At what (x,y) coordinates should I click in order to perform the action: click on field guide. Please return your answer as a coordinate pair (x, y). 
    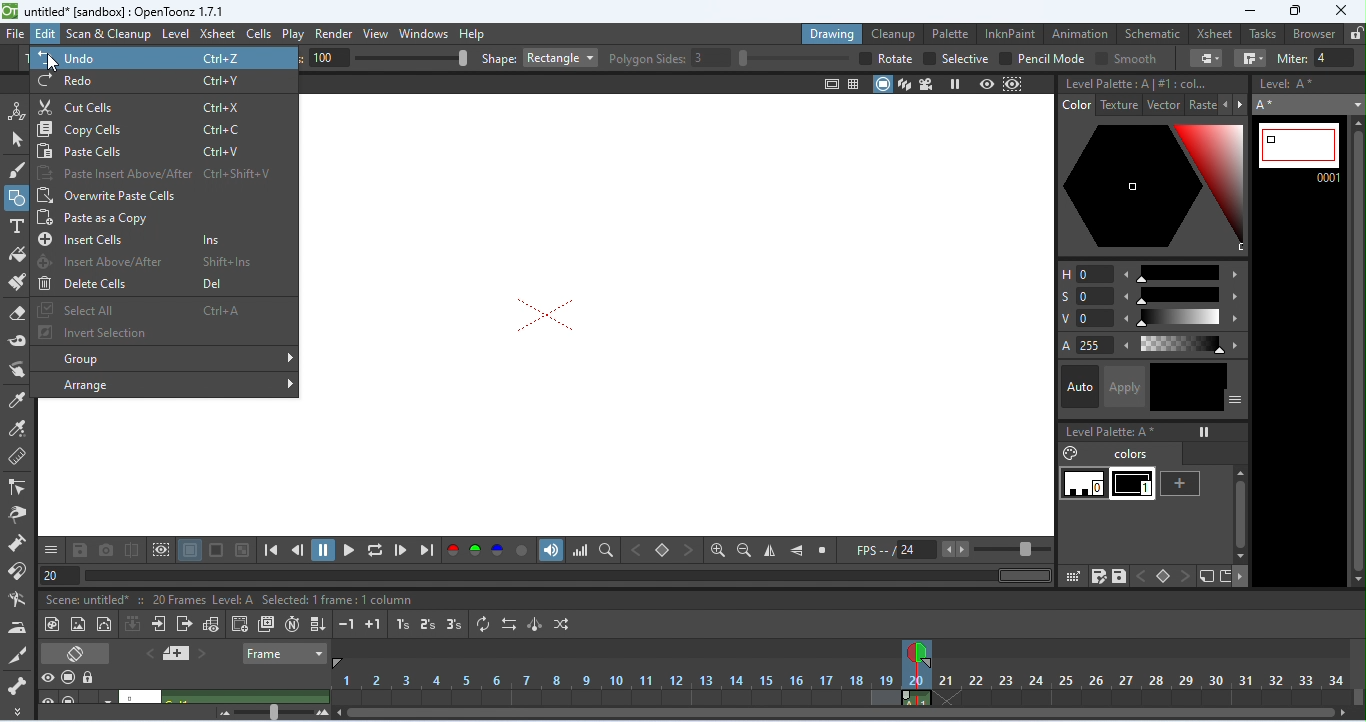
    Looking at the image, I should click on (855, 85).